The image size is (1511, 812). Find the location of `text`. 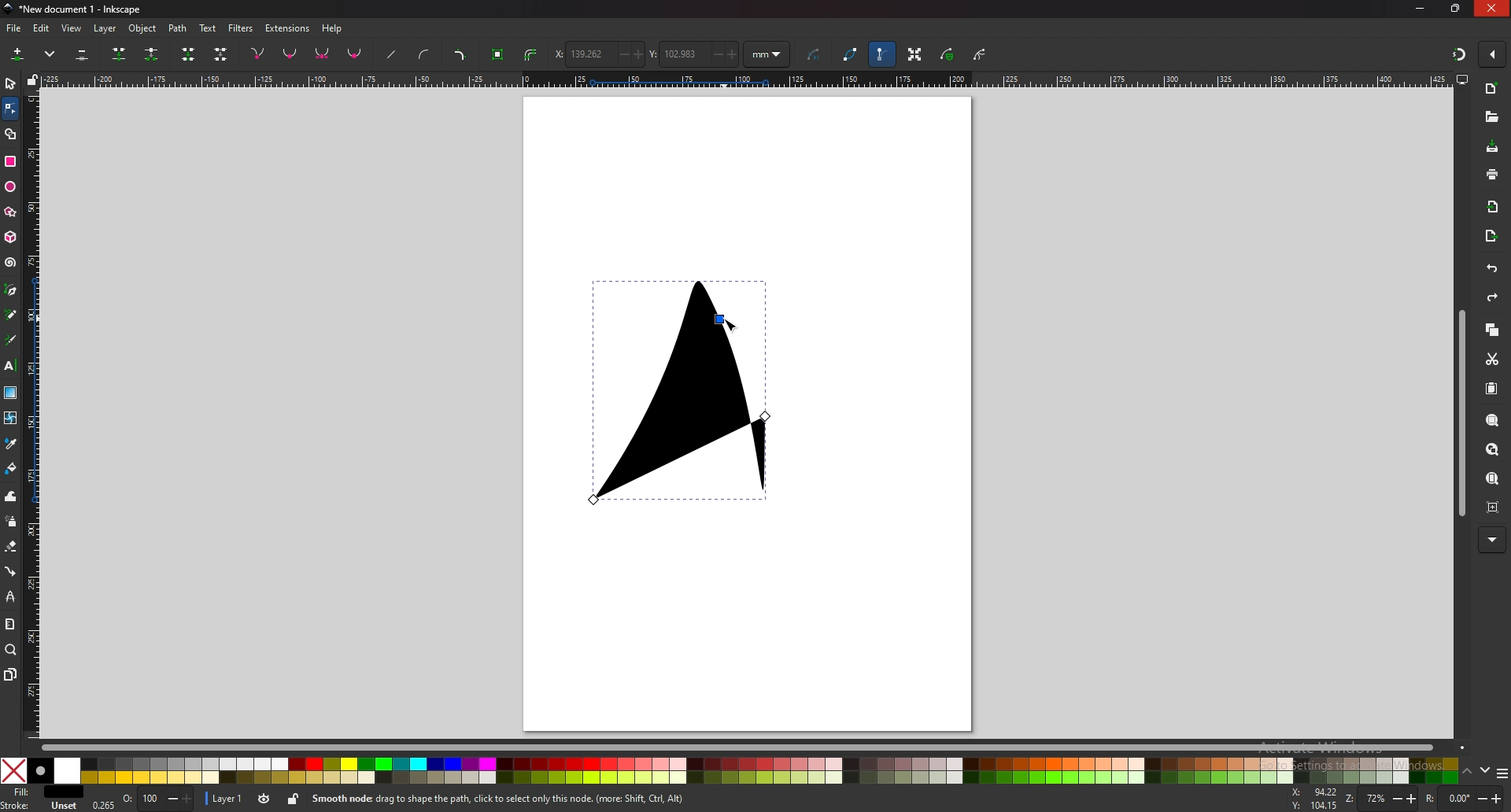

text is located at coordinates (208, 28).